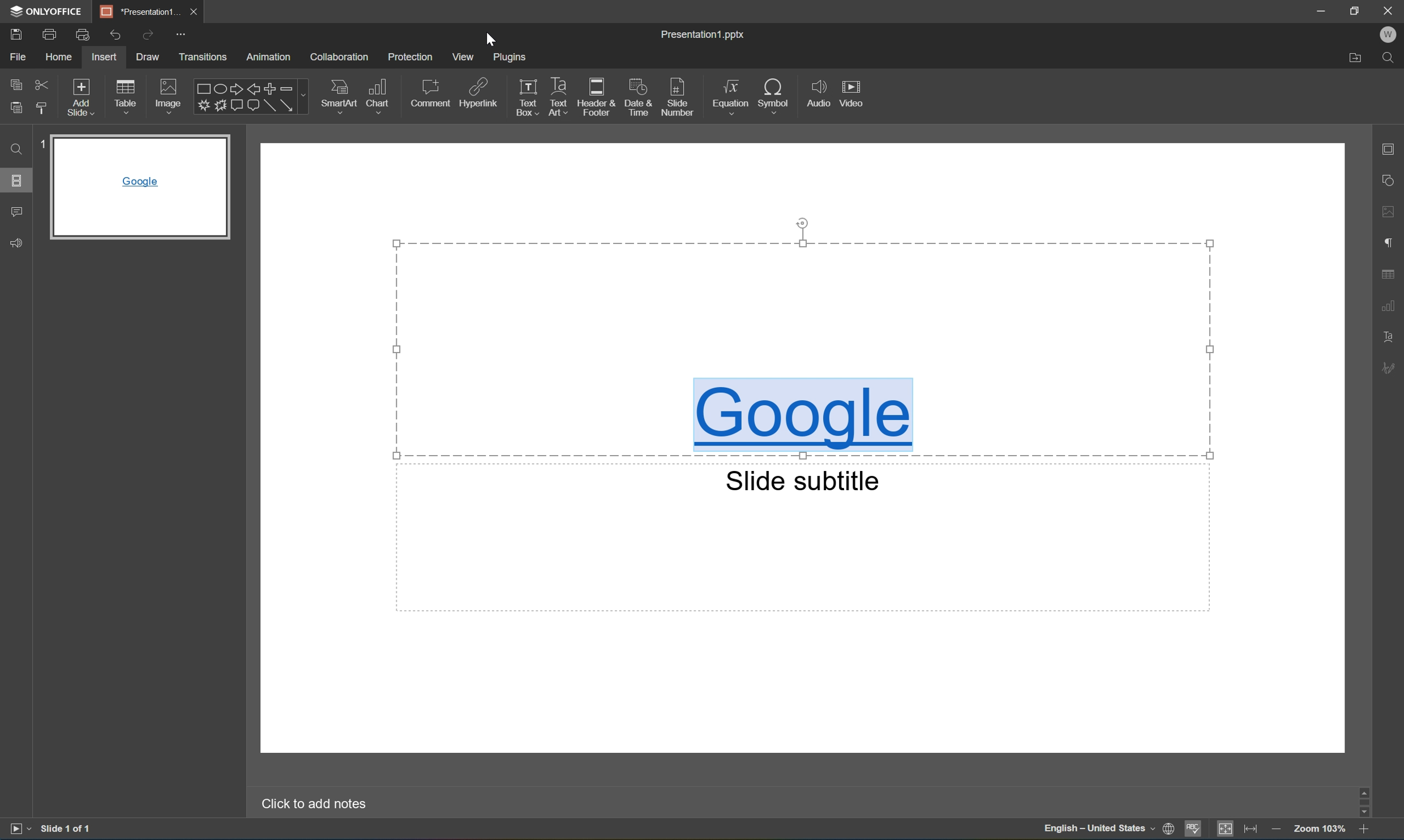 This screenshot has height=840, width=1404. What do you see at coordinates (61, 57) in the screenshot?
I see `Home` at bounding box center [61, 57].